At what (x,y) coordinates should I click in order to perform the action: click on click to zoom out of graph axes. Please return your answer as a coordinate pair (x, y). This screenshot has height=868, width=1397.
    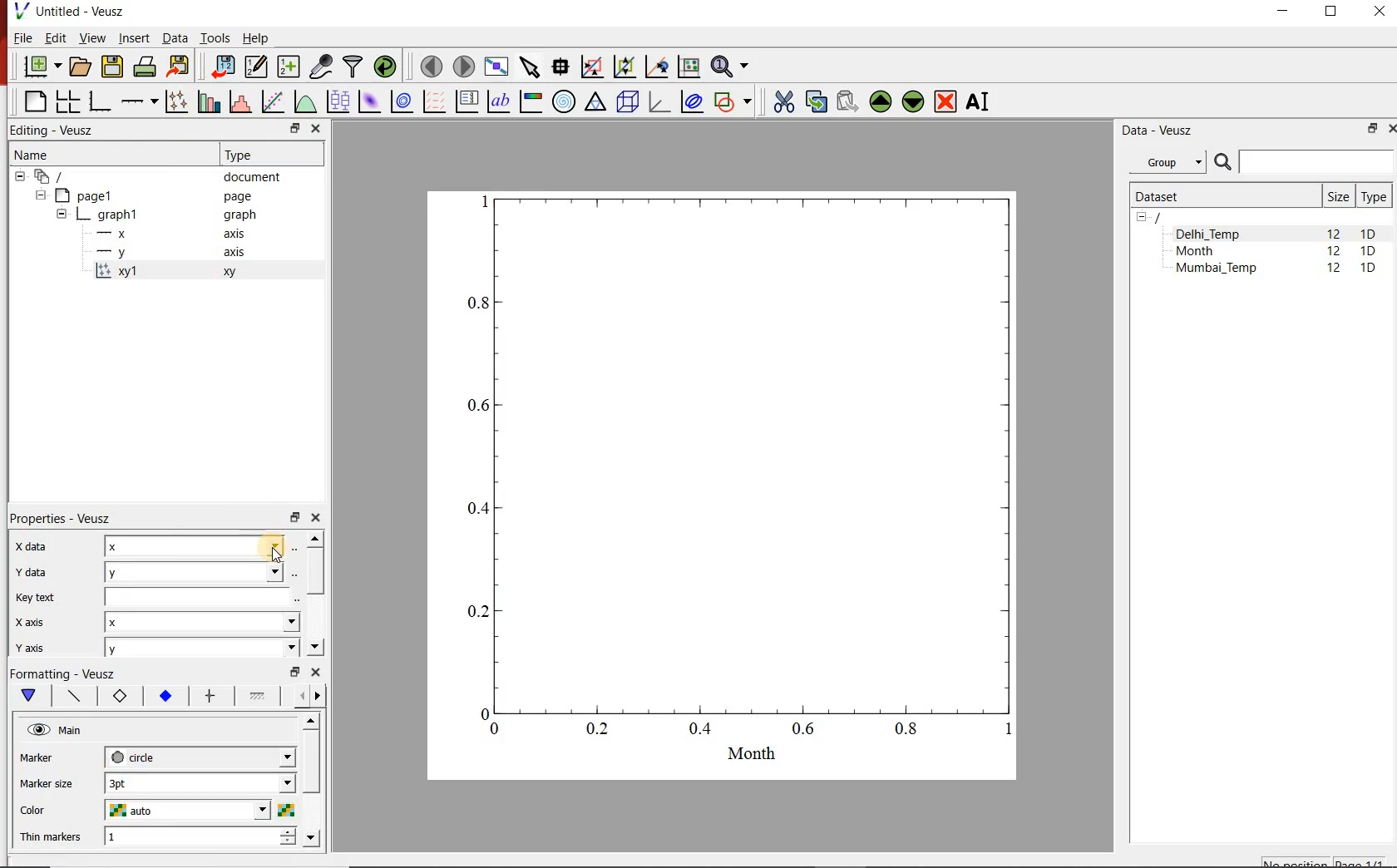
    Looking at the image, I should click on (624, 67).